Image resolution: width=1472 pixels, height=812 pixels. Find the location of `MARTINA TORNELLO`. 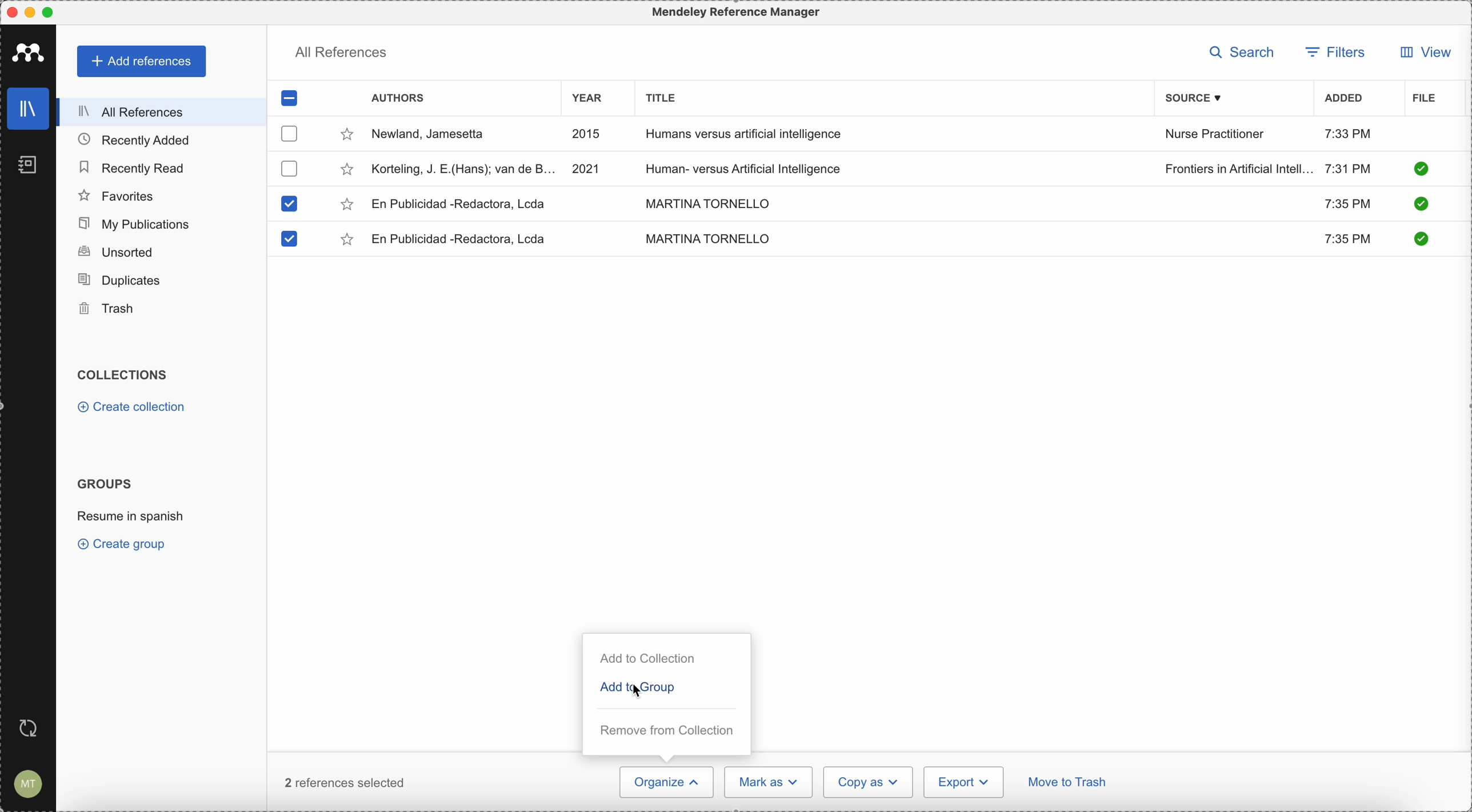

MARTINA TORNELLO is located at coordinates (705, 202).